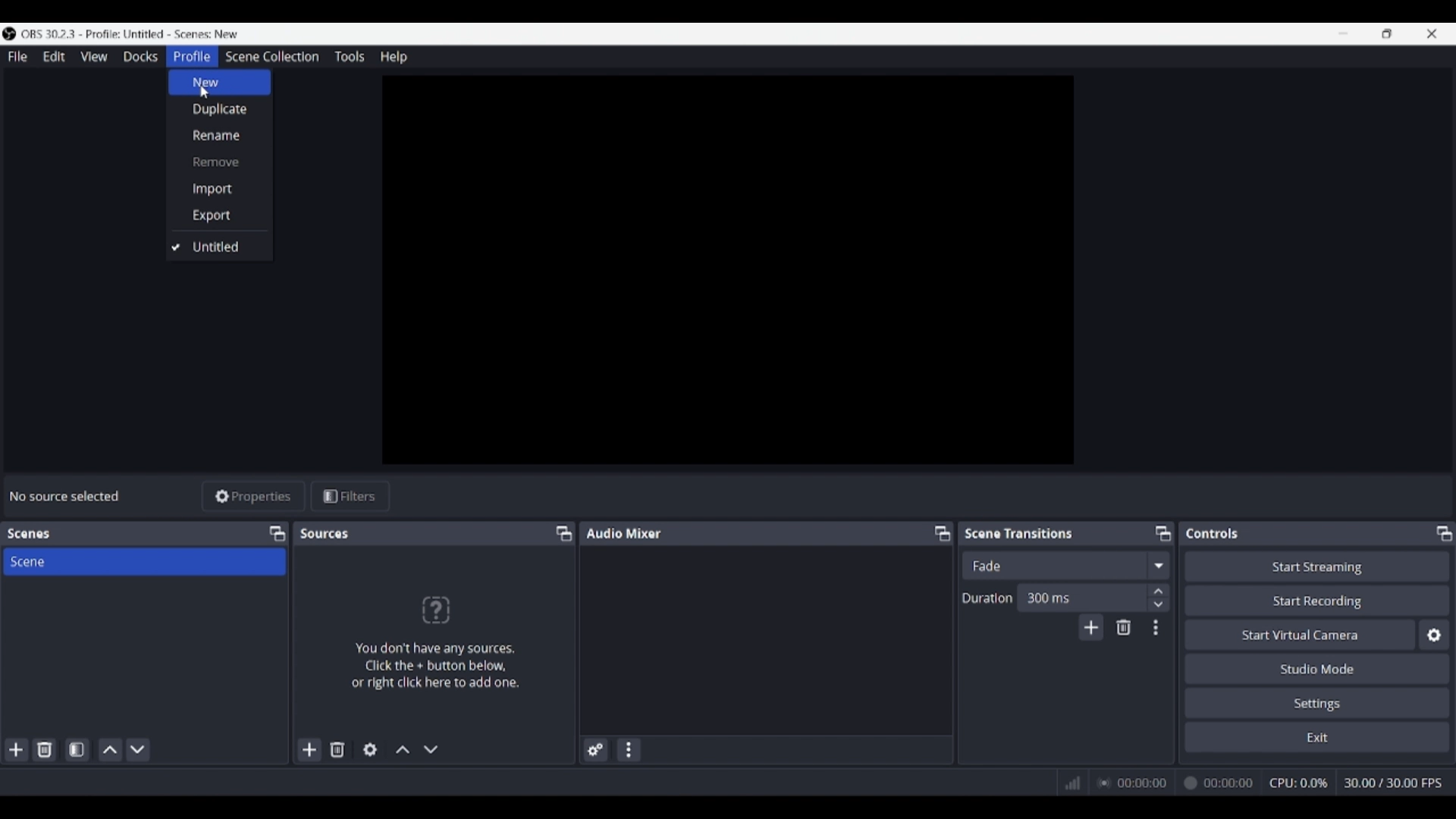  Describe the element at coordinates (326, 533) in the screenshot. I see `Panel title` at that location.